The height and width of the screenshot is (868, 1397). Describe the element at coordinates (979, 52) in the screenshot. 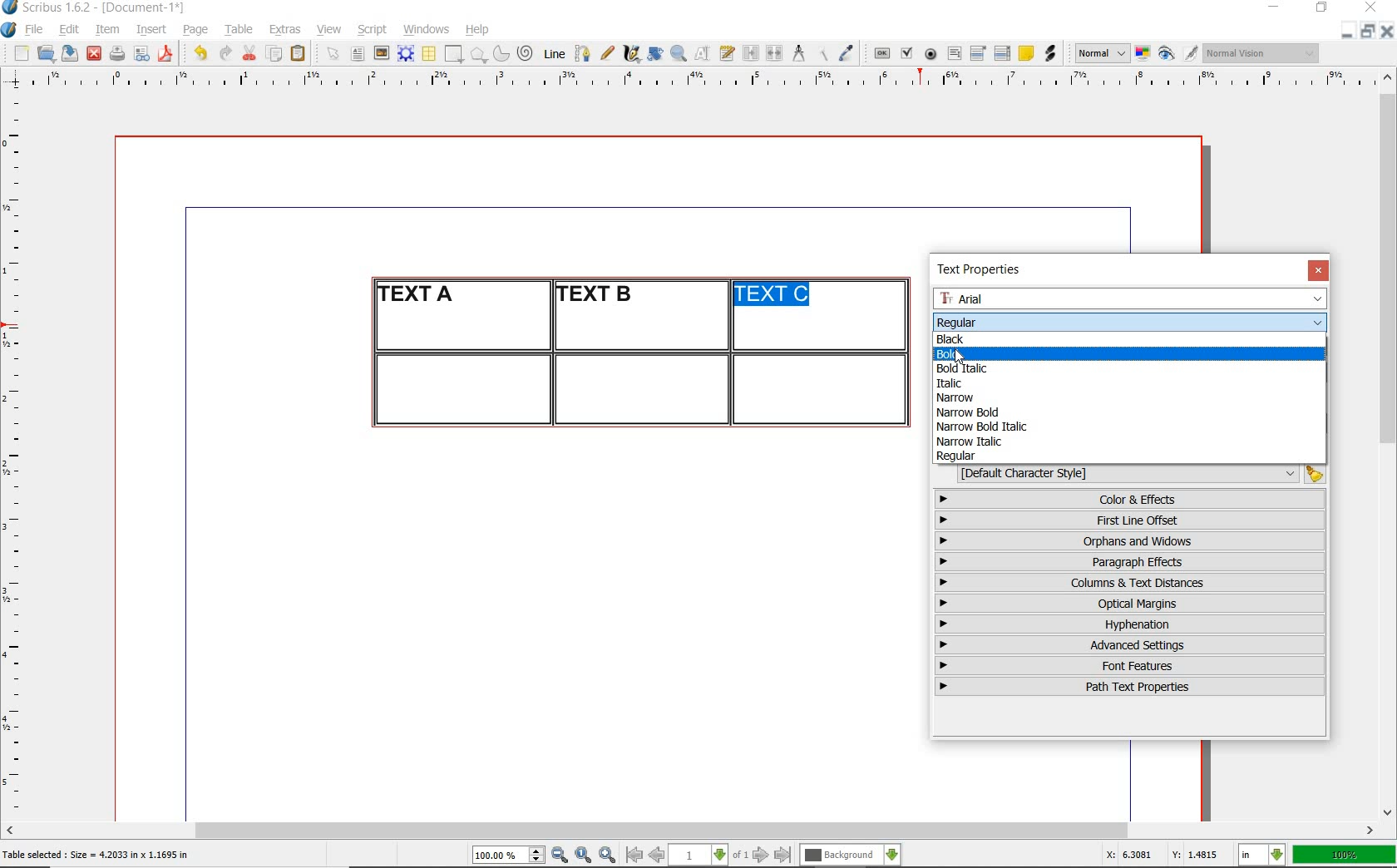

I see `pdf combo box` at that location.